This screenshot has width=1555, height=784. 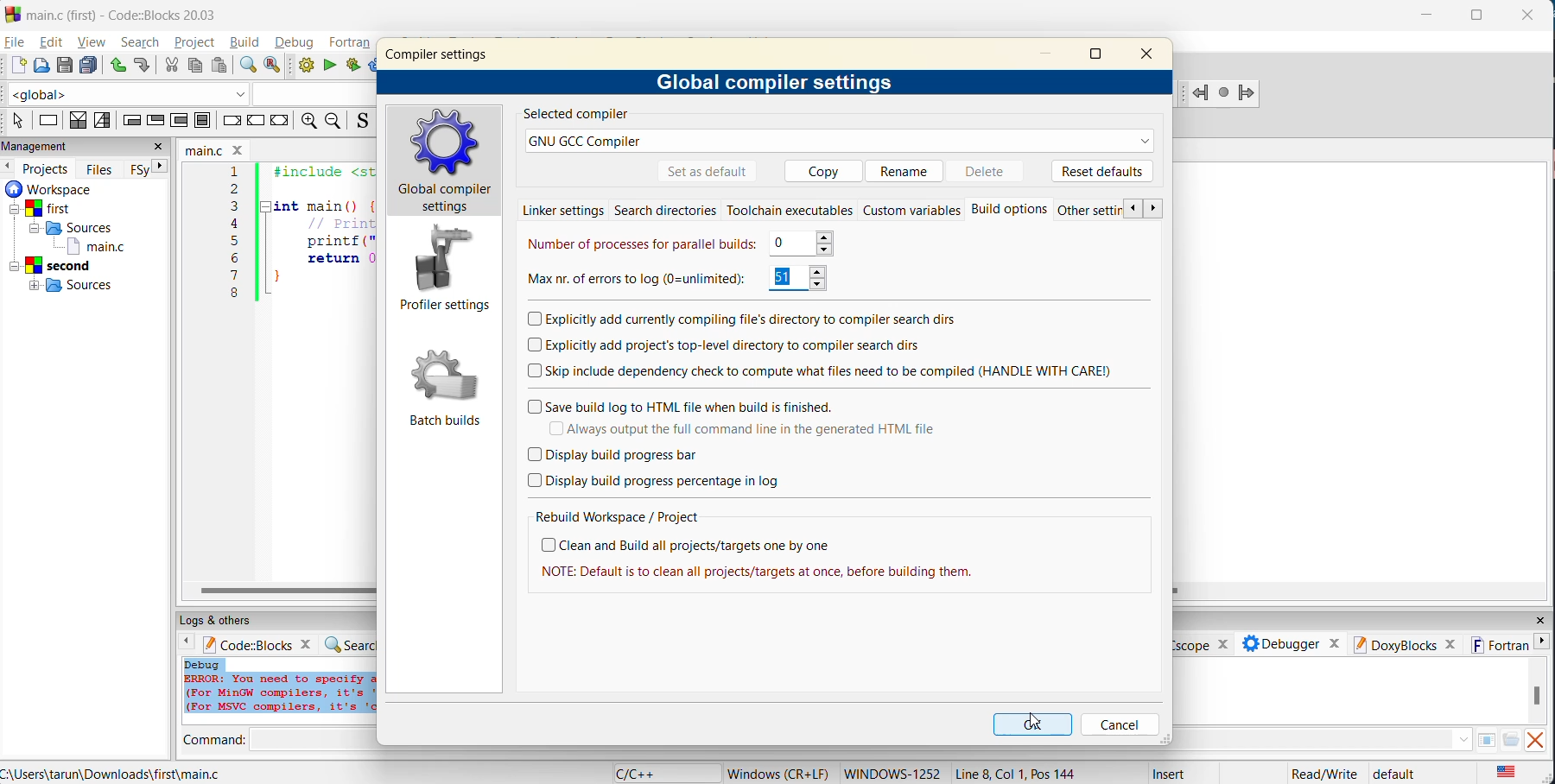 I want to click on delete, so click(x=987, y=171).